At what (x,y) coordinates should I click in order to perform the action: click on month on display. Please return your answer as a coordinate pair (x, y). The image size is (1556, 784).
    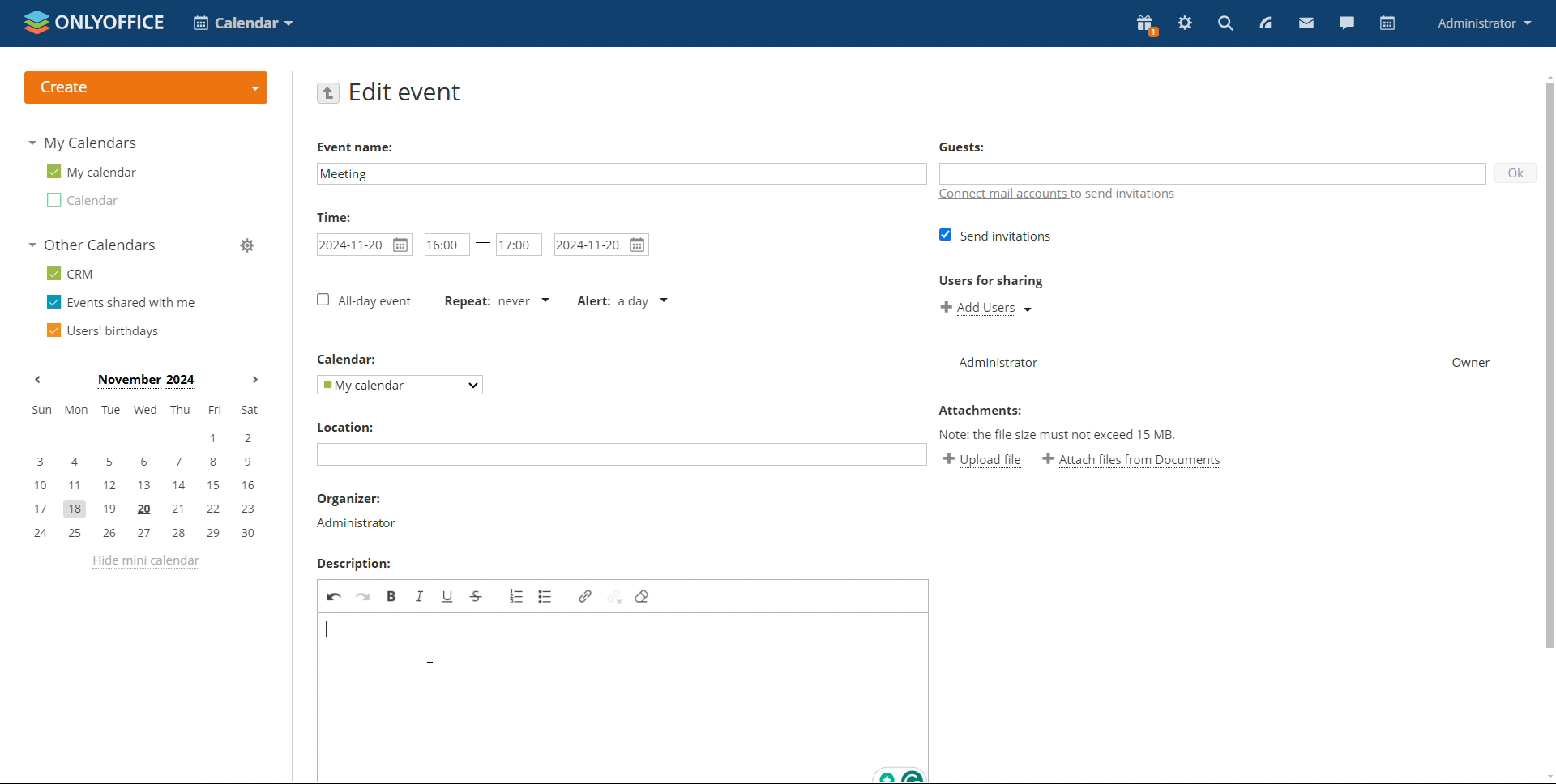
    Looking at the image, I should click on (146, 381).